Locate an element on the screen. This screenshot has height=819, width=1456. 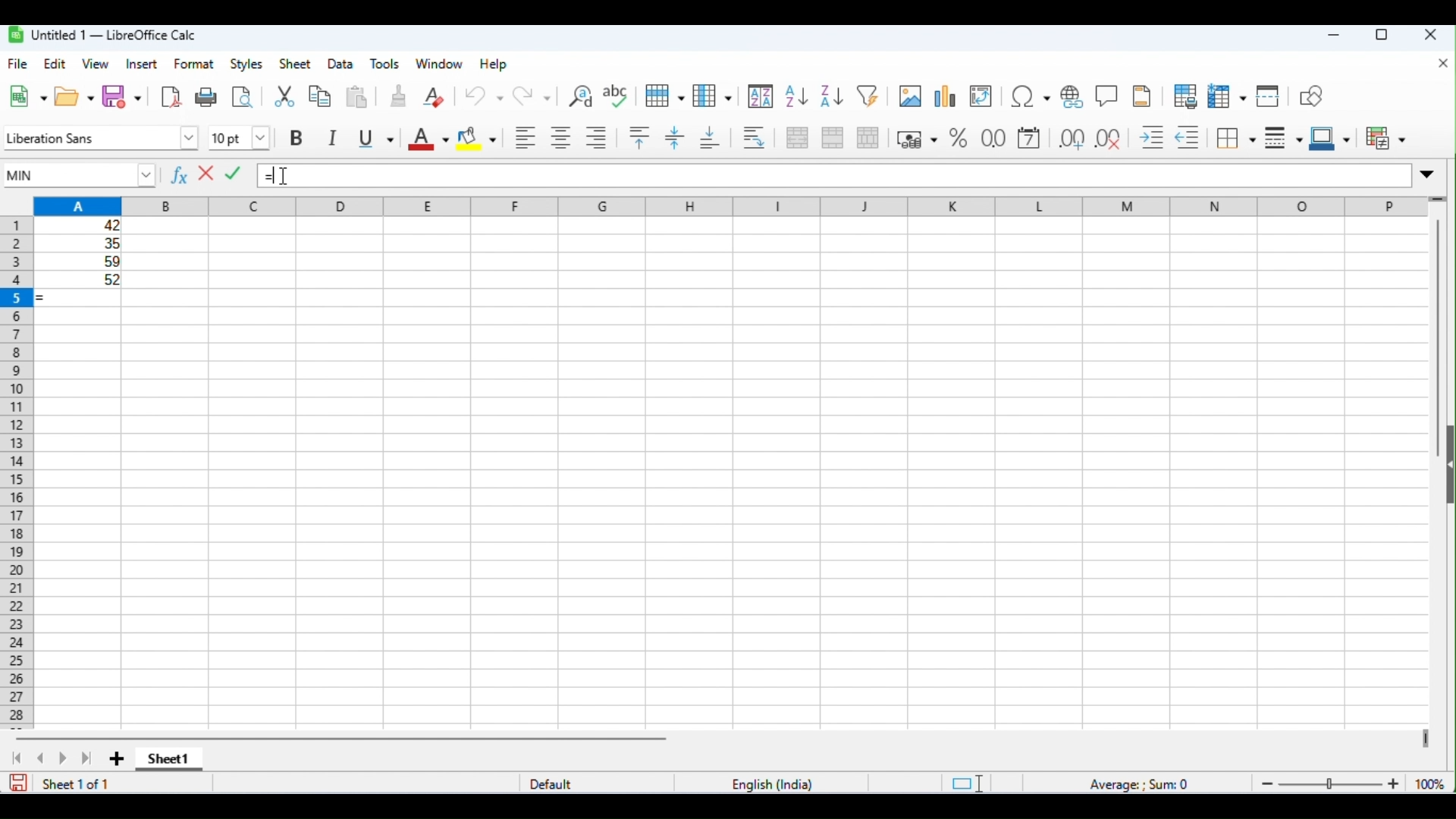
font style is located at coordinates (100, 136).